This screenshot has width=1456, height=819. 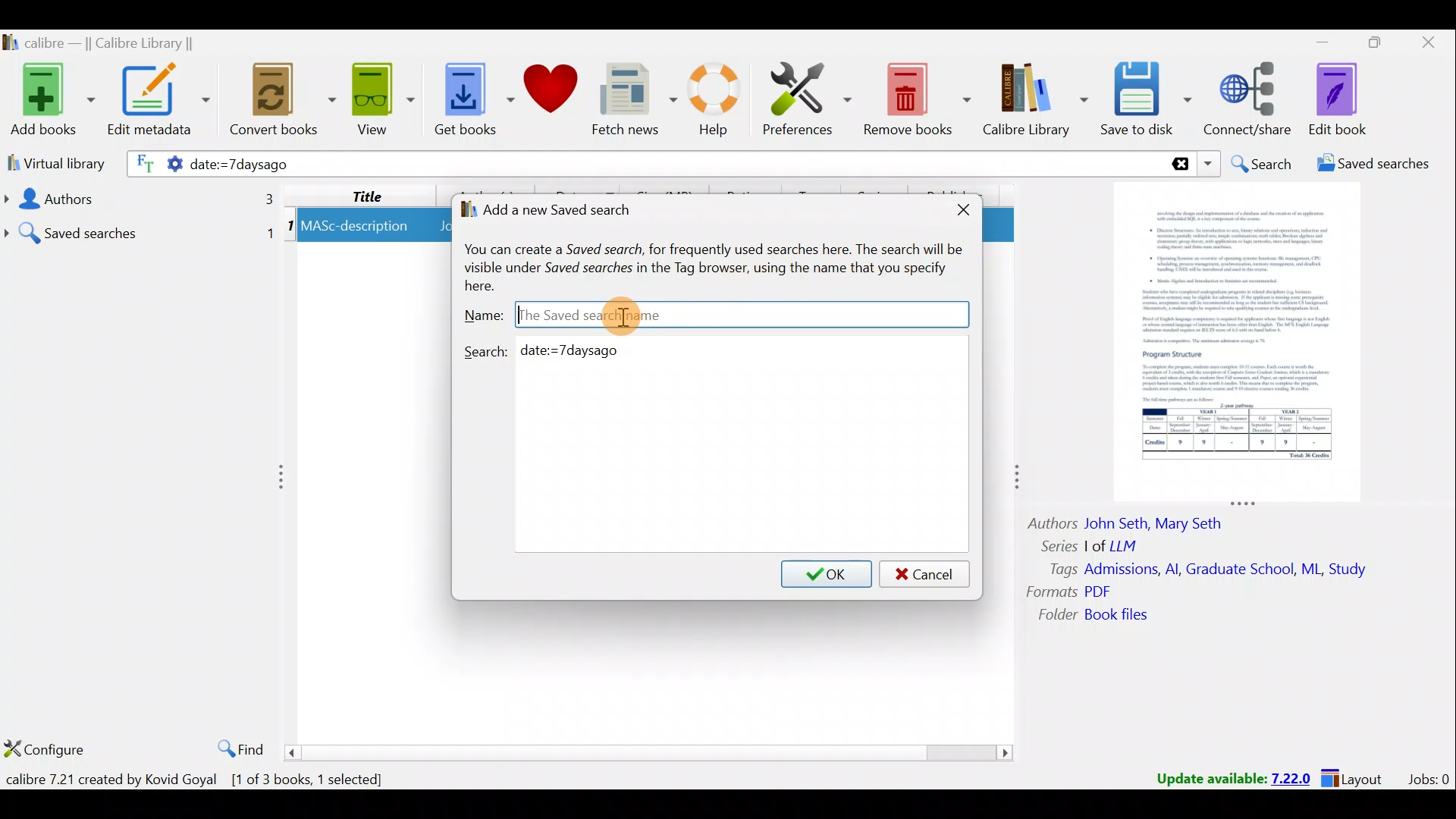 What do you see at coordinates (1225, 777) in the screenshot?
I see `Update available: 7.22.0` at bounding box center [1225, 777].